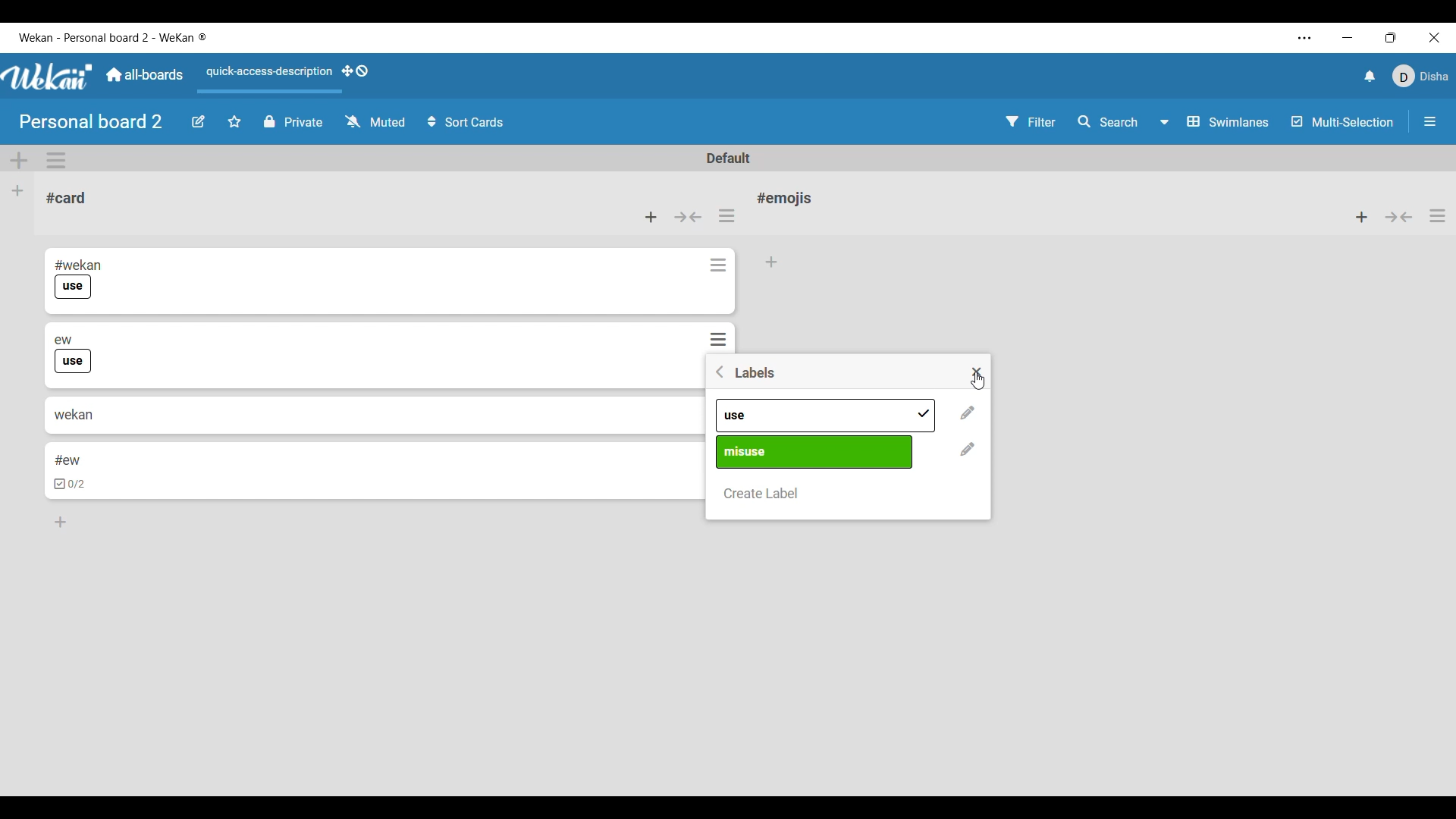 The height and width of the screenshot is (819, 1456). I want to click on Change name and color of respective label, so click(968, 449).